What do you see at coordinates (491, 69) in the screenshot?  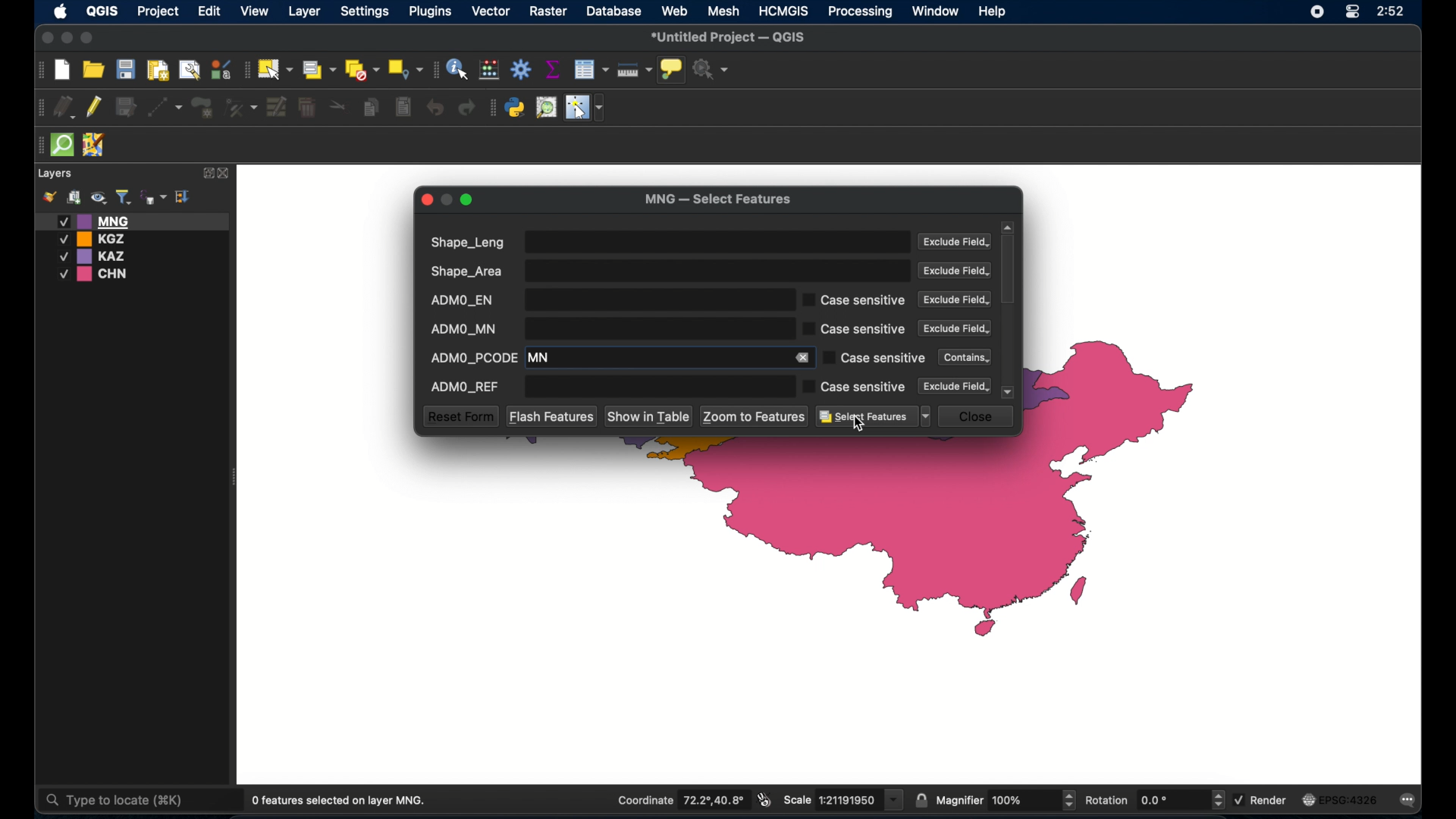 I see `open field calculator` at bounding box center [491, 69].